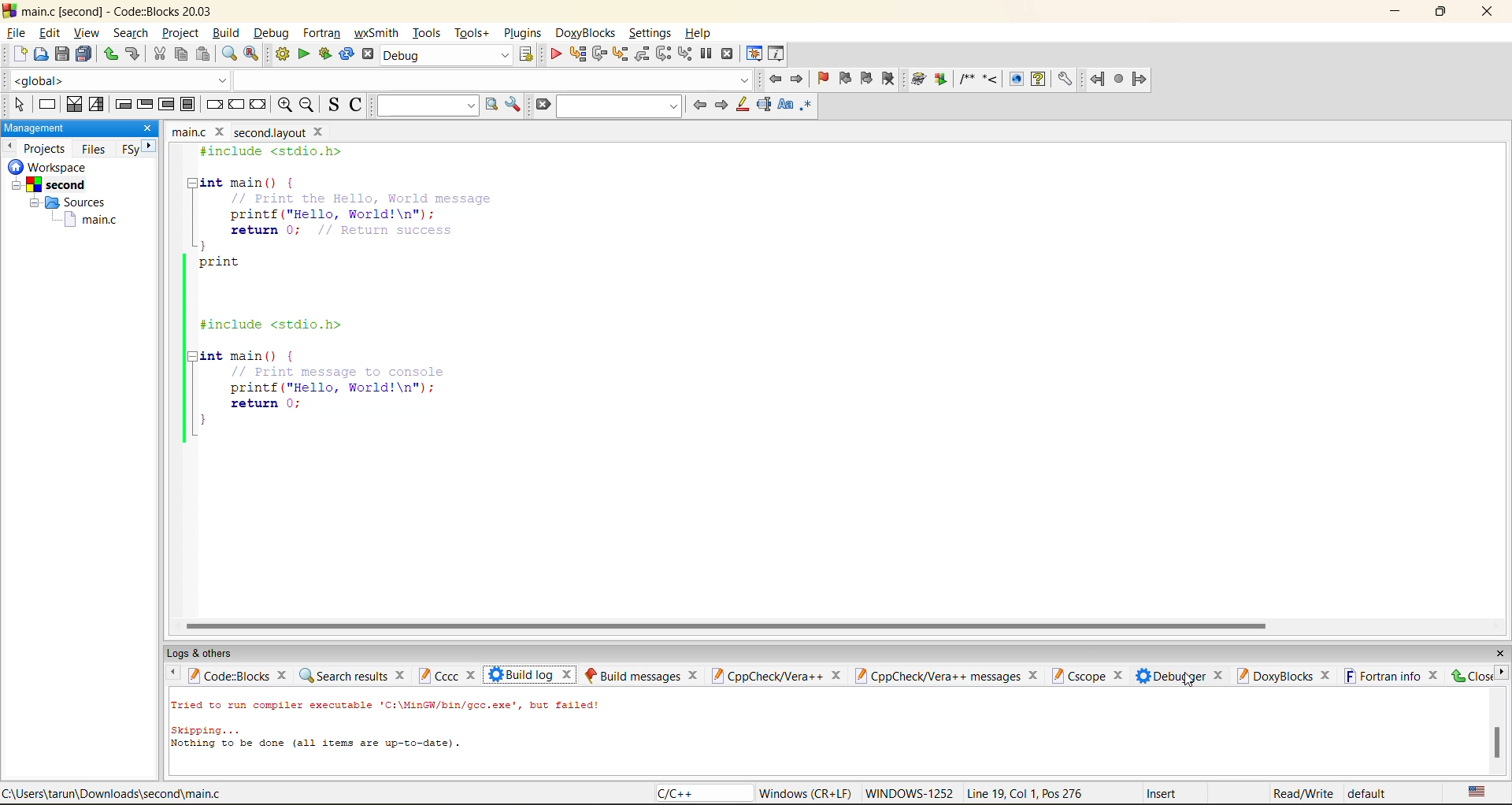 Image resolution: width=1512 pixels, height=805 pixels. What do you see at coordinates (539, 106) in the screenshot?
I see `clear` at bounding box center [539, 106].